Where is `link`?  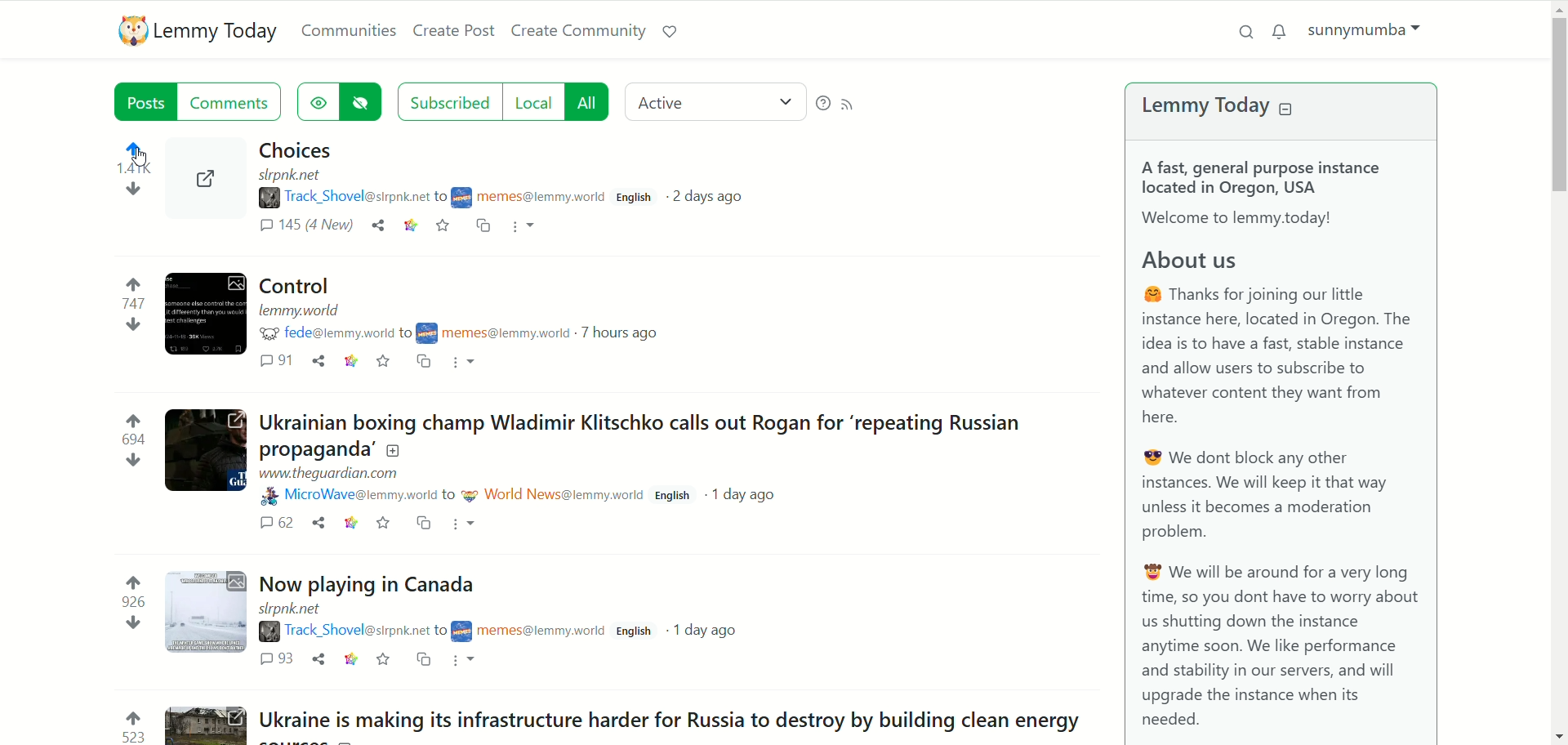
link is located at coordinates (354, 523).